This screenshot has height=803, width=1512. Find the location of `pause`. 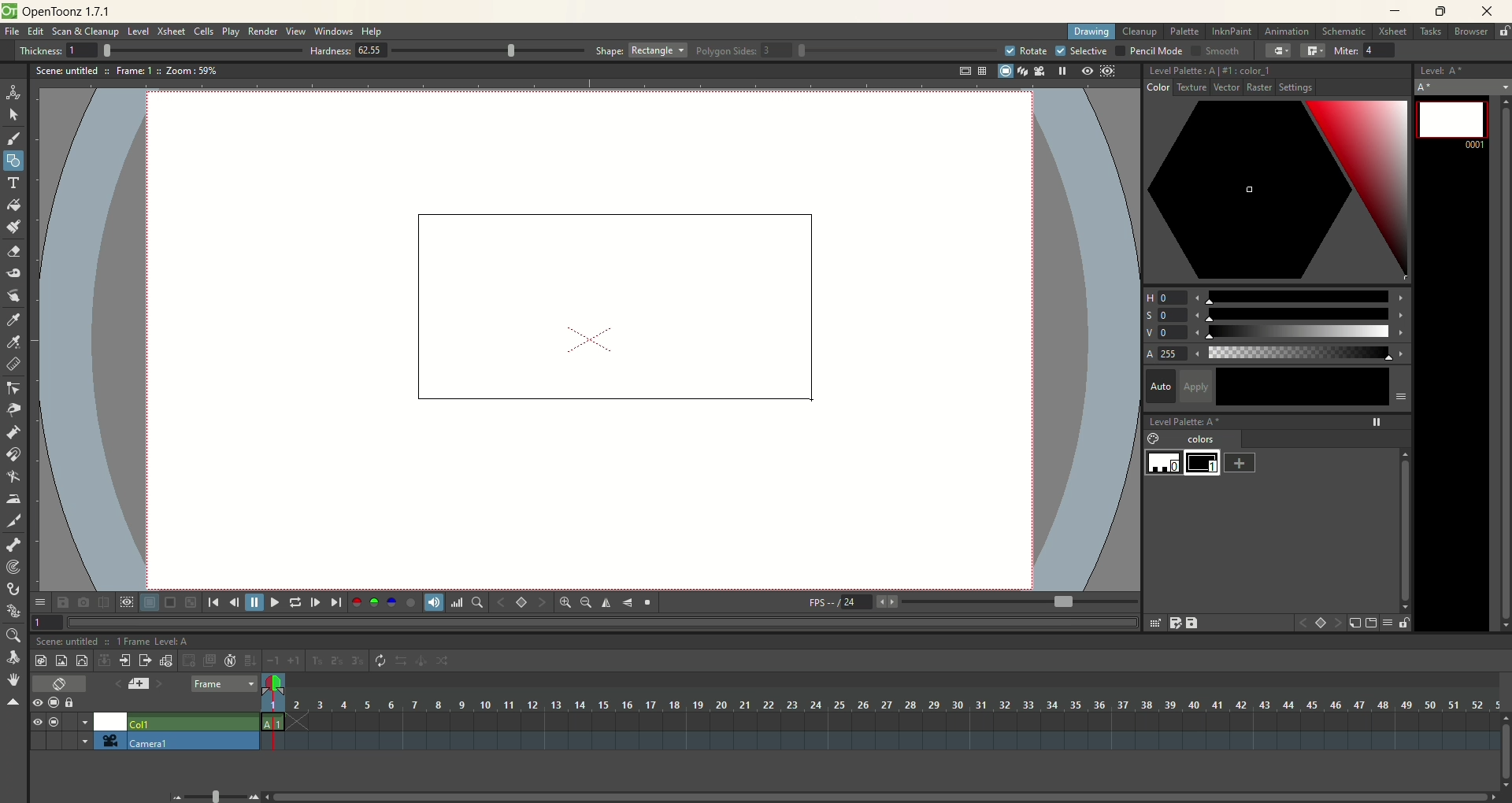

pause is located at coordinates (254, 602).